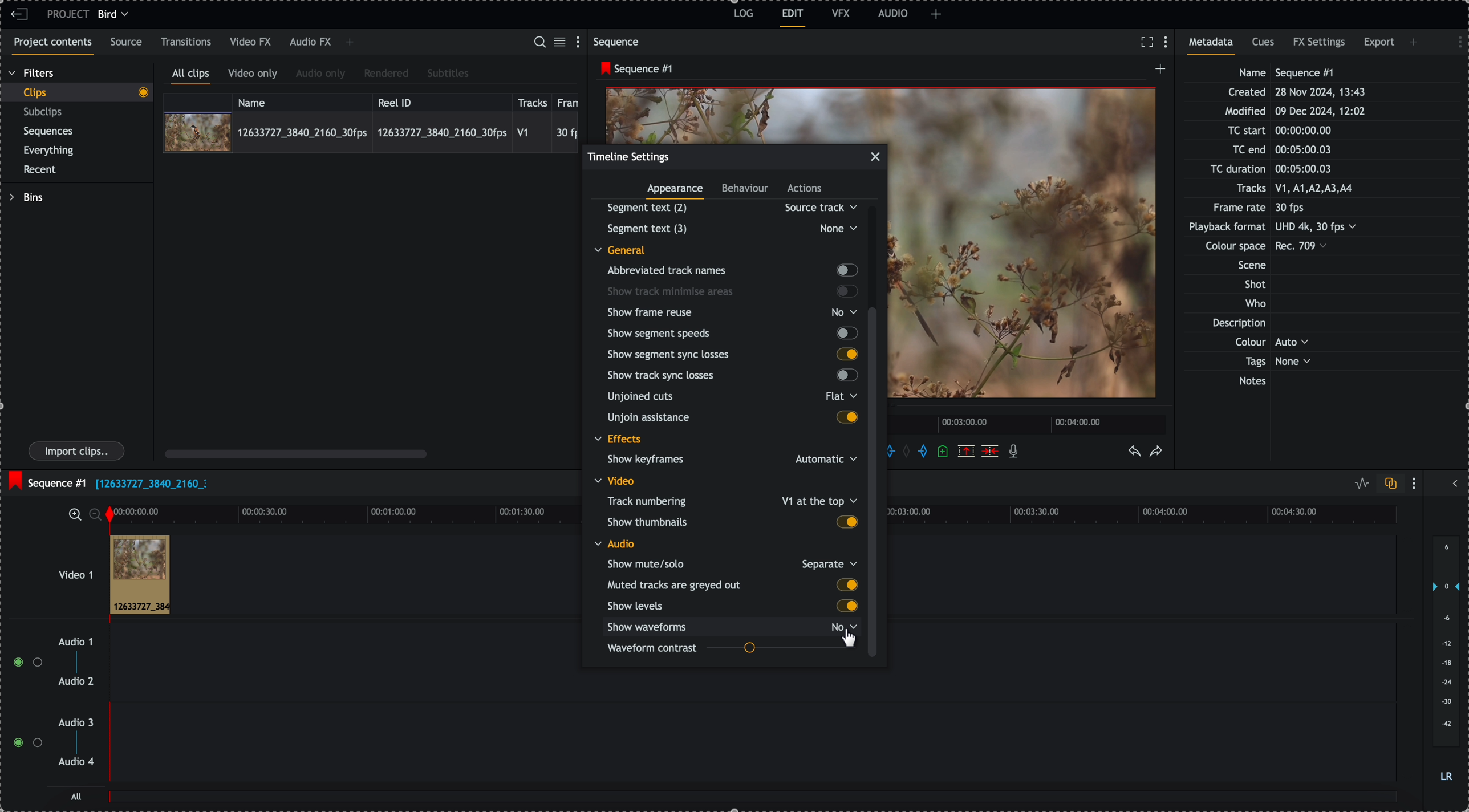 This screenshot has width=1469, height=812. I want to click on behaviour, so click(746, 190).